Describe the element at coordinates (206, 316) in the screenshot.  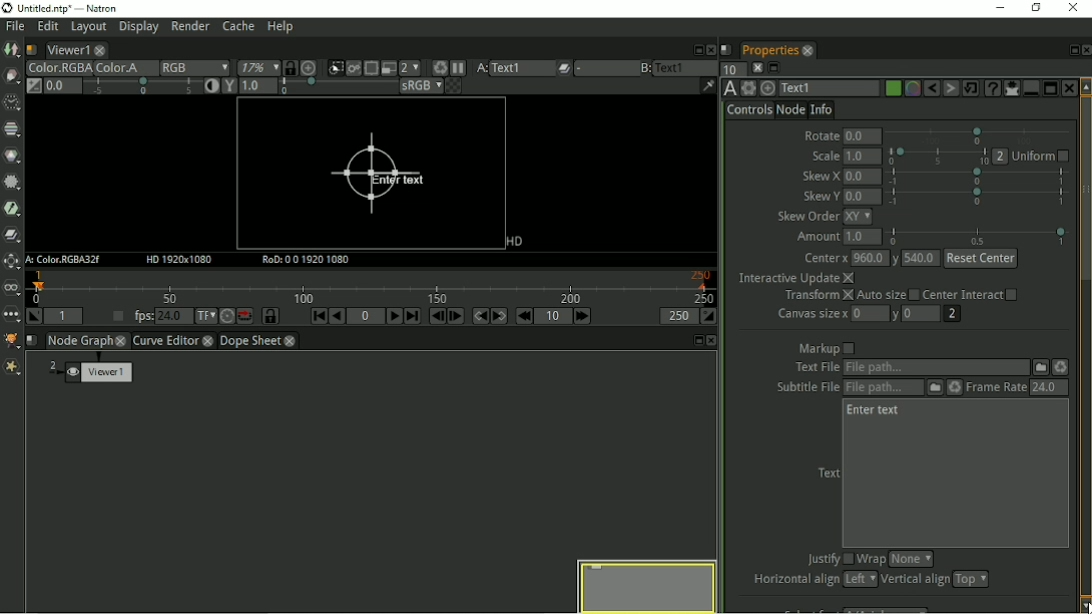
I see `Set the time display format` at that location.